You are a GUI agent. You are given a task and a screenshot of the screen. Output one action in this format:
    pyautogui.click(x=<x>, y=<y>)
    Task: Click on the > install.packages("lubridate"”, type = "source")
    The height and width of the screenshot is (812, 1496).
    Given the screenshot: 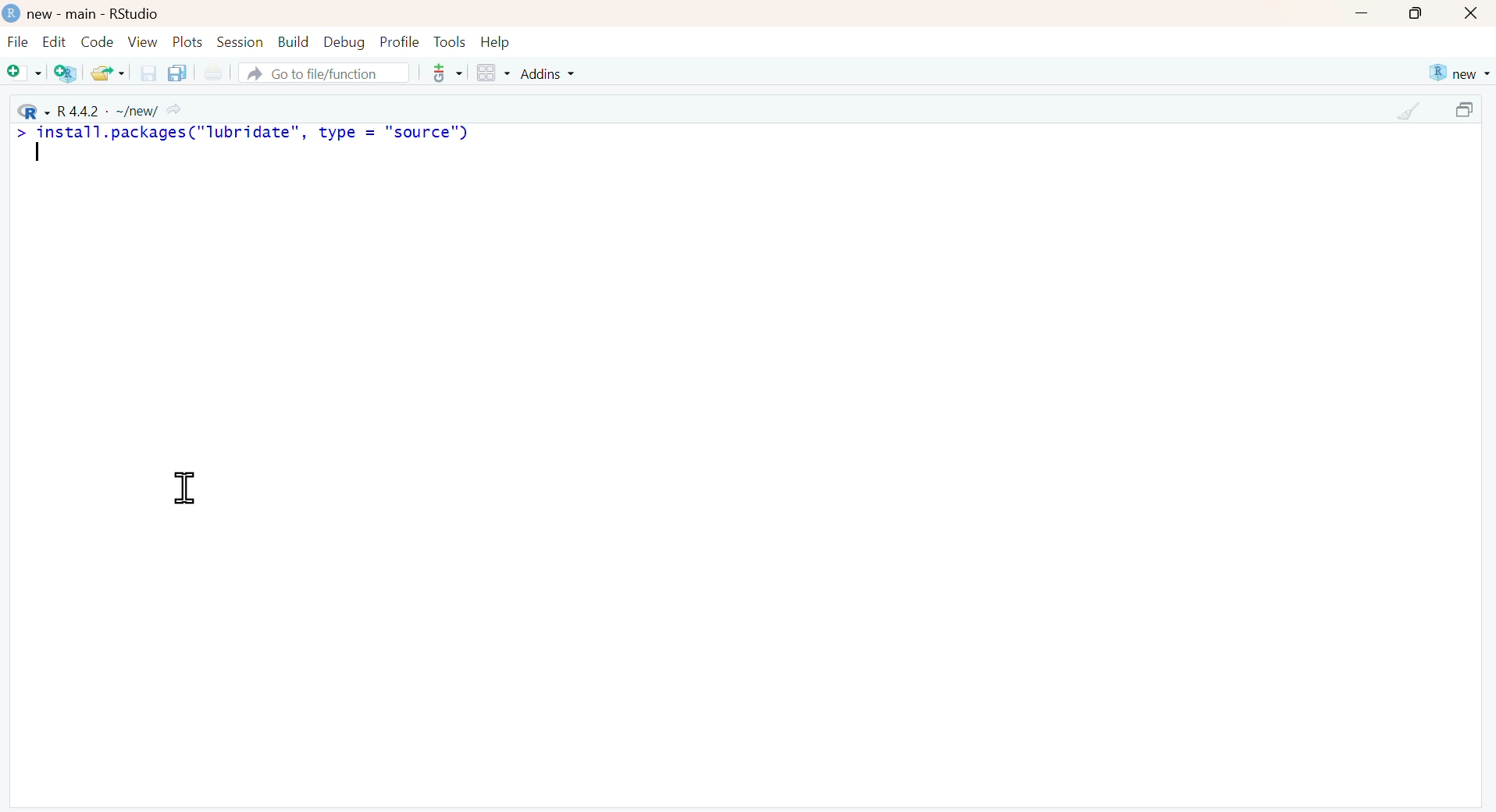 What is the action you would take?
    pyautogui.click(x=248, y=134)
    